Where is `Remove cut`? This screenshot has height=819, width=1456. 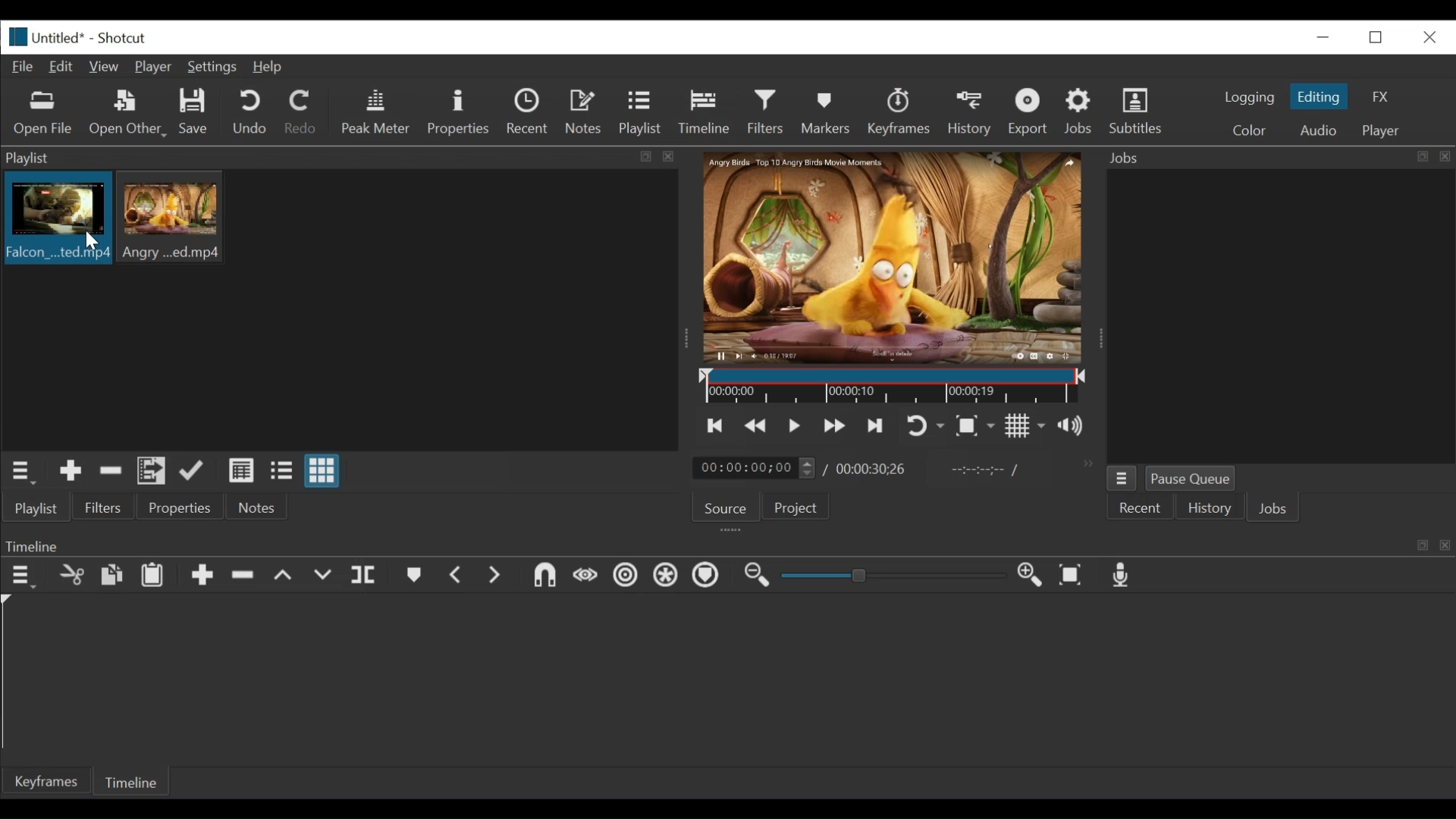 Remove cut is located at coordinates (245, 578).